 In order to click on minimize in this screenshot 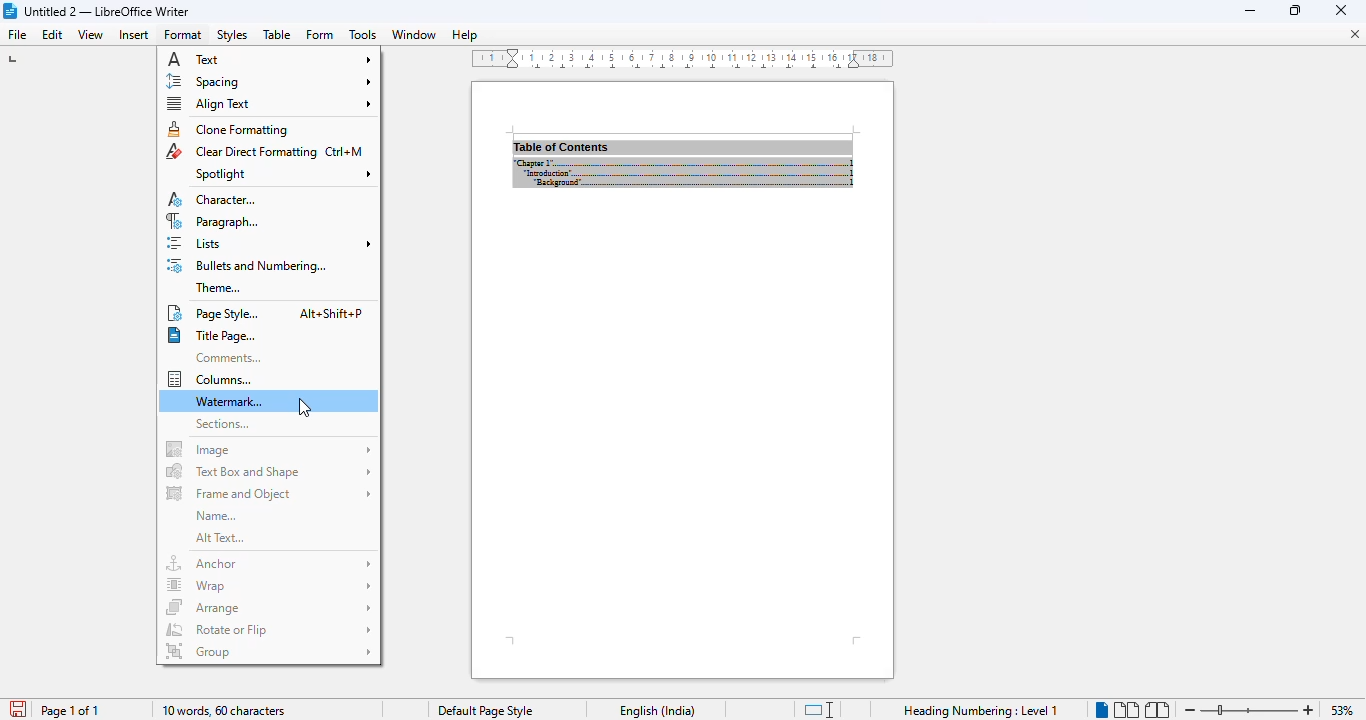, I will do `click(1251, 10)`.